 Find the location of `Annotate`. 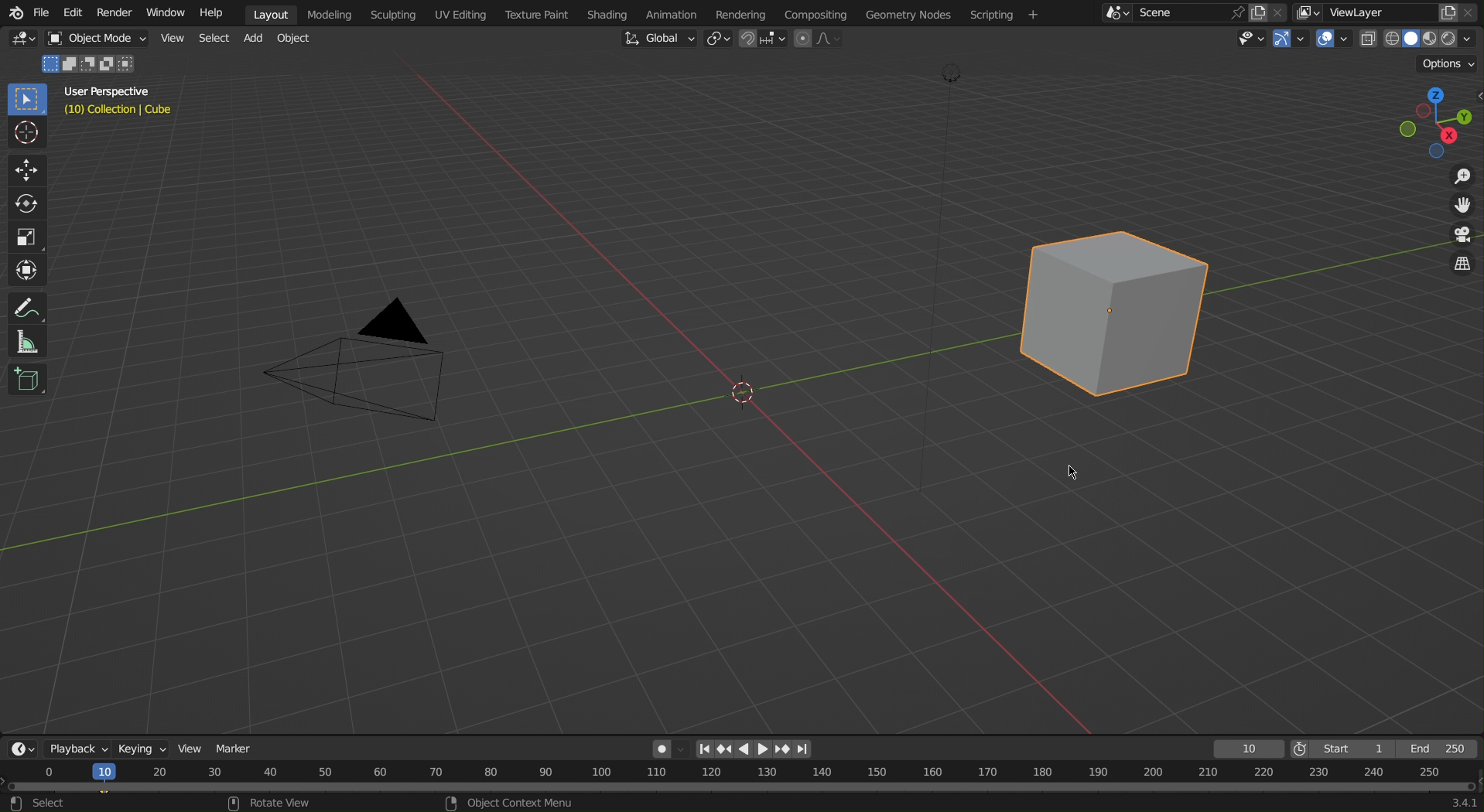

Annotate is located at coordinates (26, 309).